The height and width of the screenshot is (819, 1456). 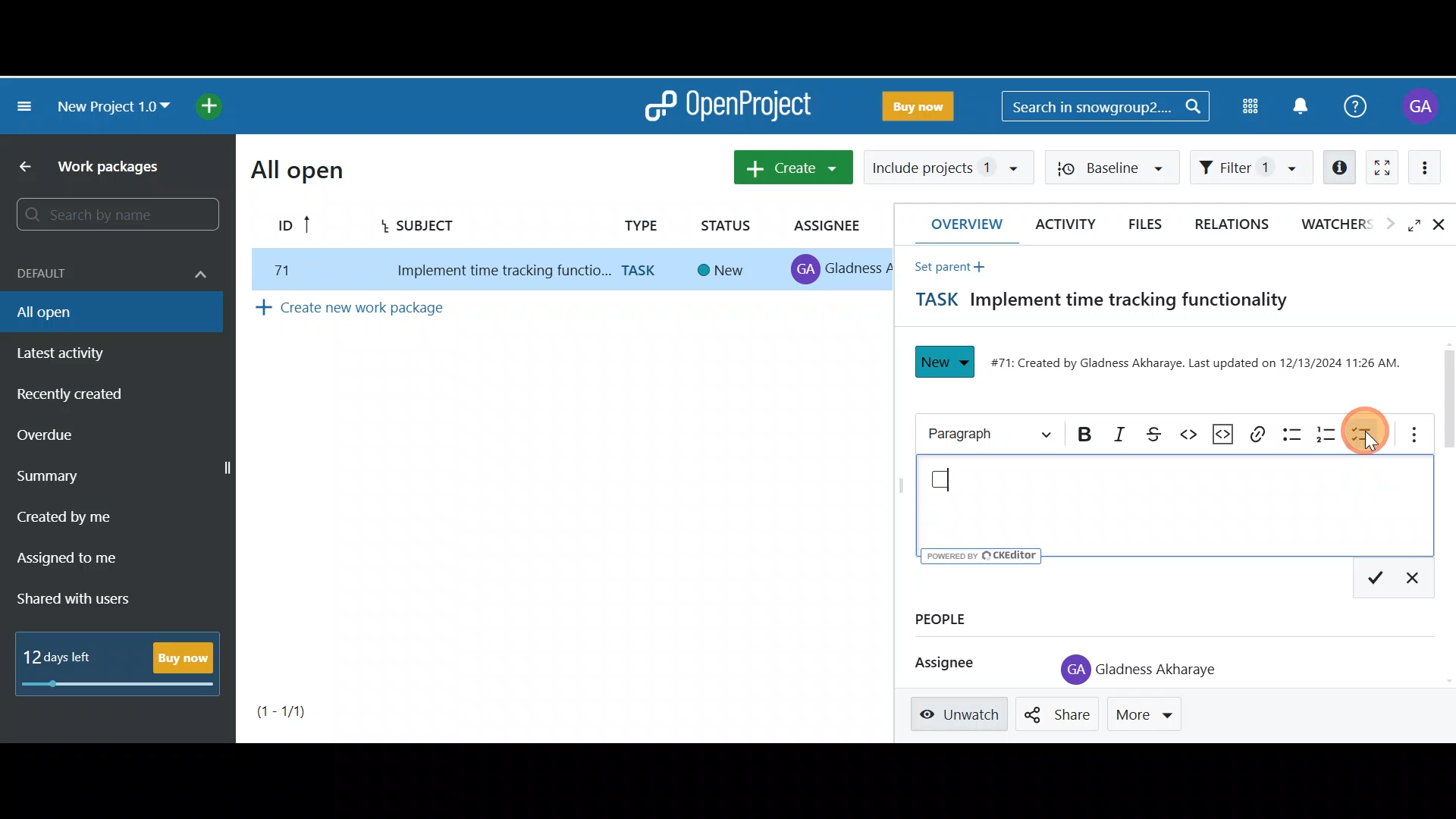 What do you see at coordinates (1227, 432) in the screenshot?
I see `Code snippet` at bounding box center [1227, 432].